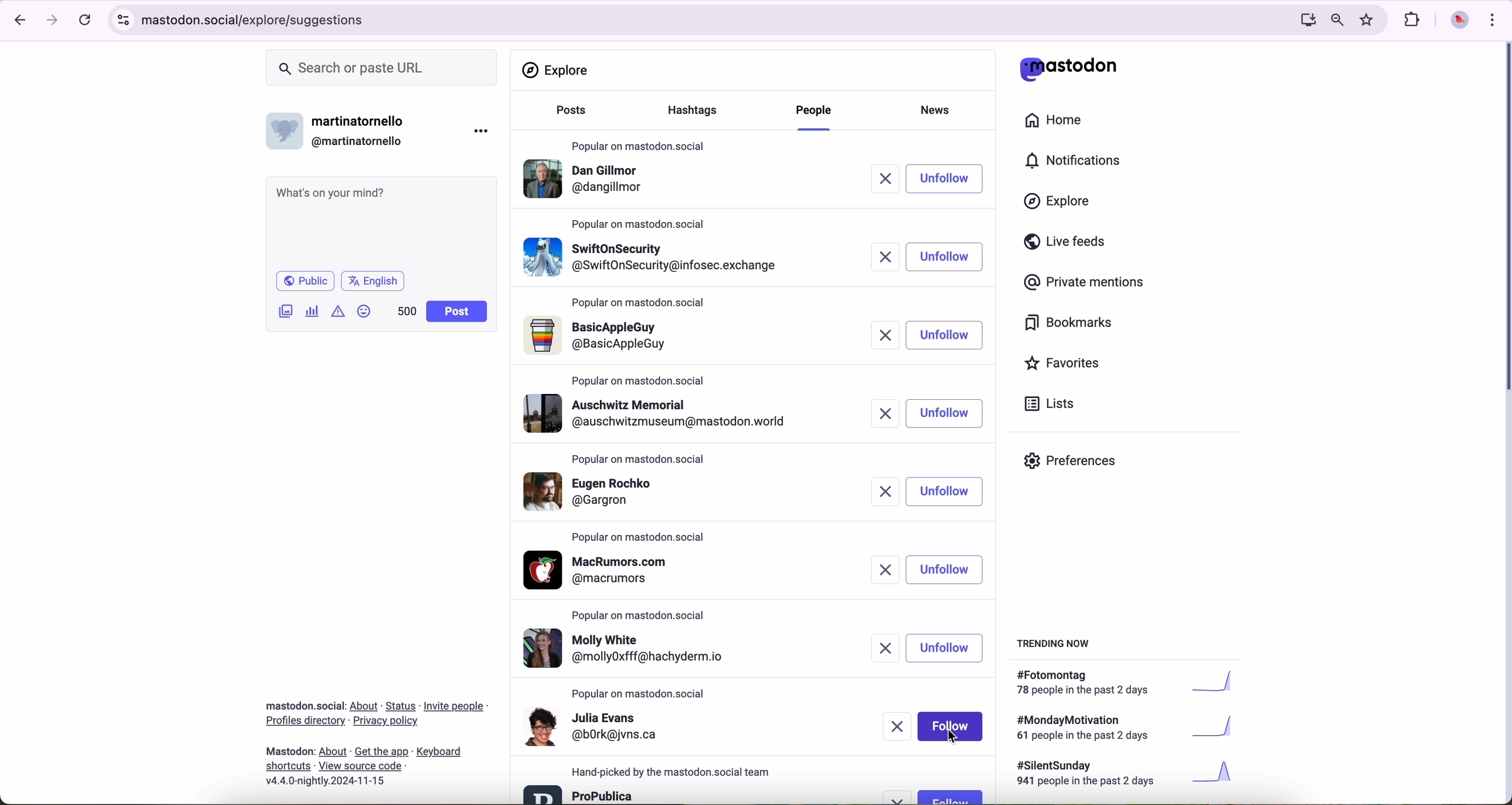  I want to click on computer, so click(1303, 19).